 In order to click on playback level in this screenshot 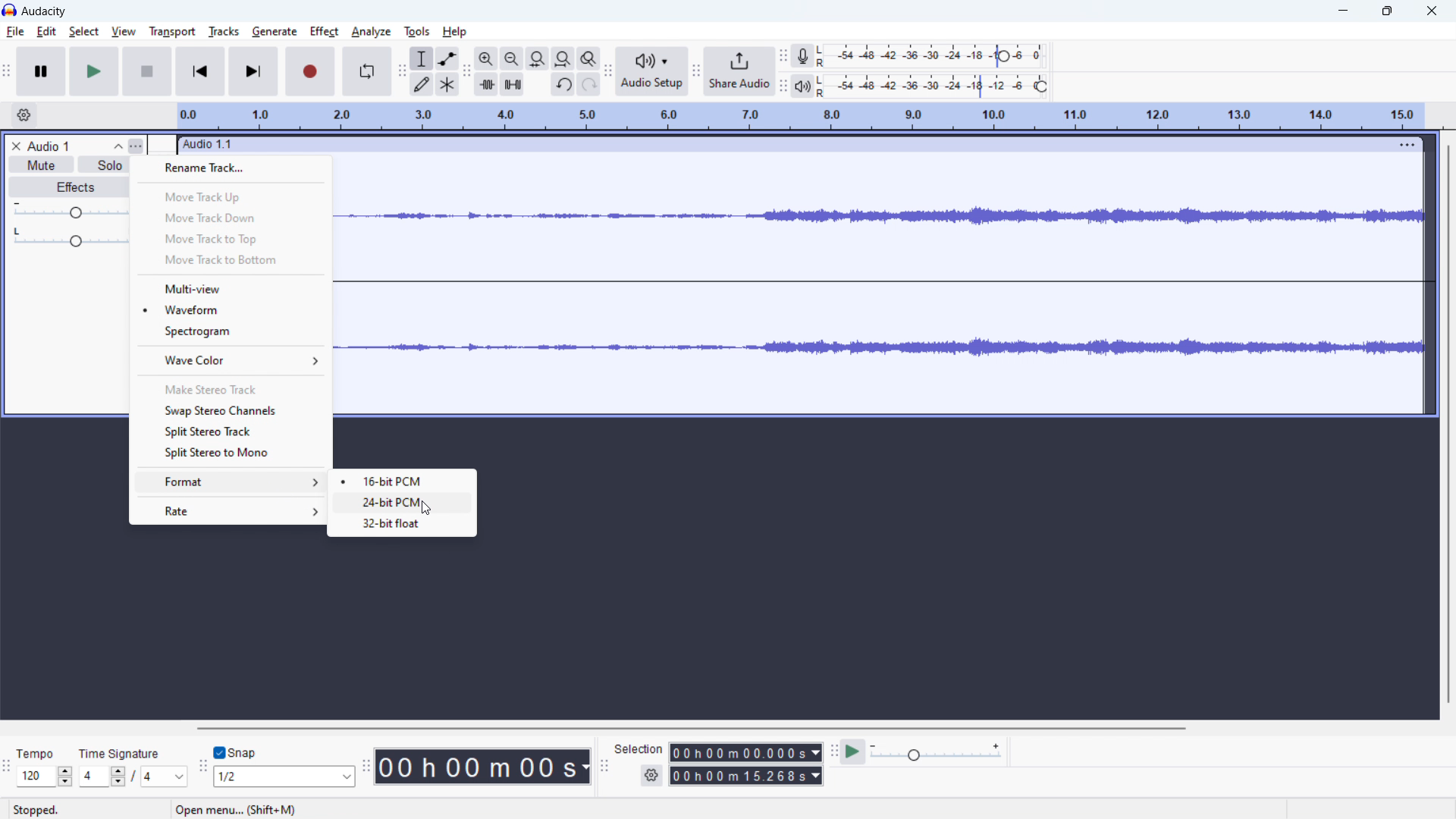, I will do `click(937, 86)`.